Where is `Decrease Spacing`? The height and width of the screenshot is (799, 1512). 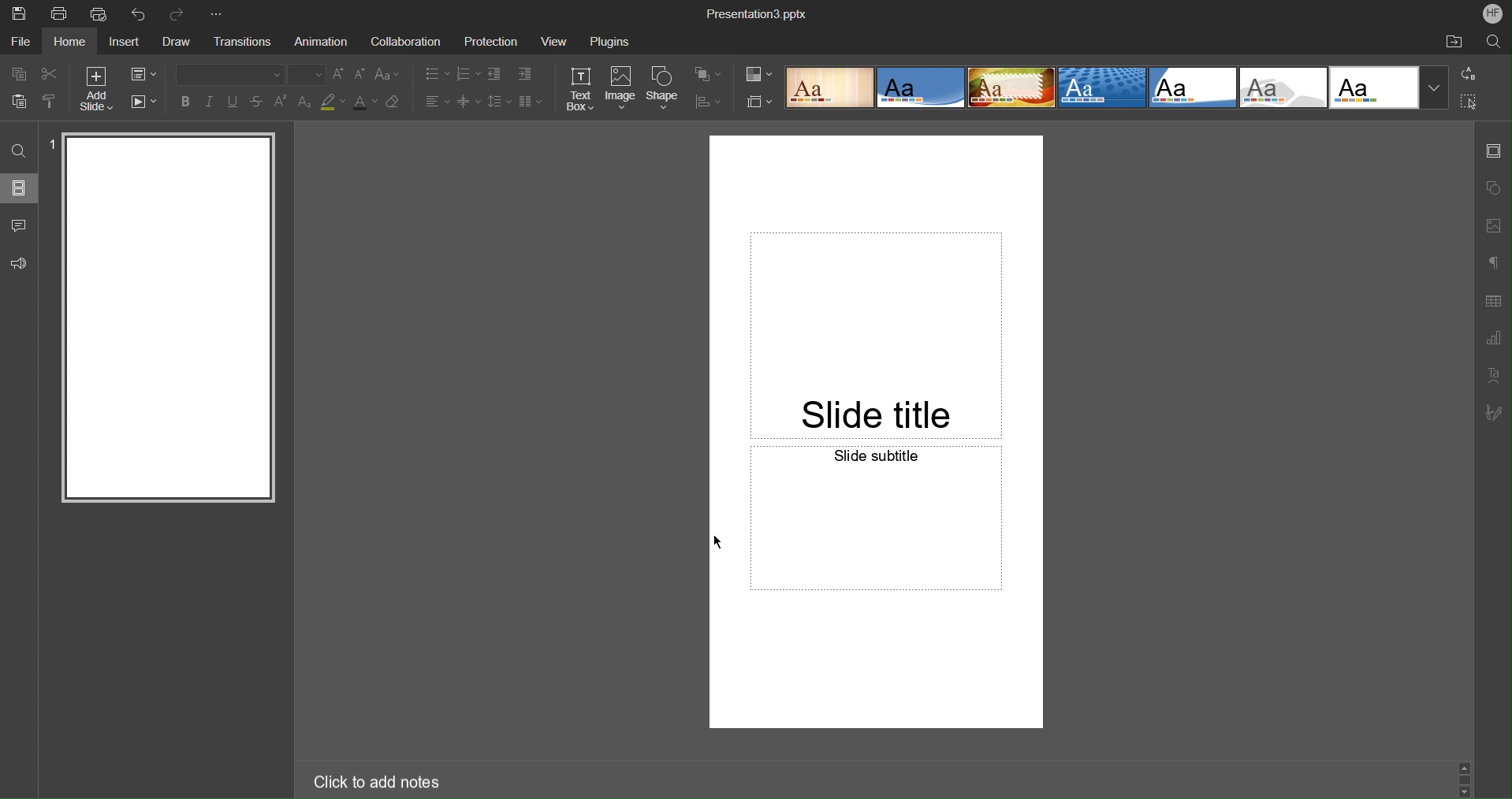 Decrease Spacing is located at coordinates (467, 102).